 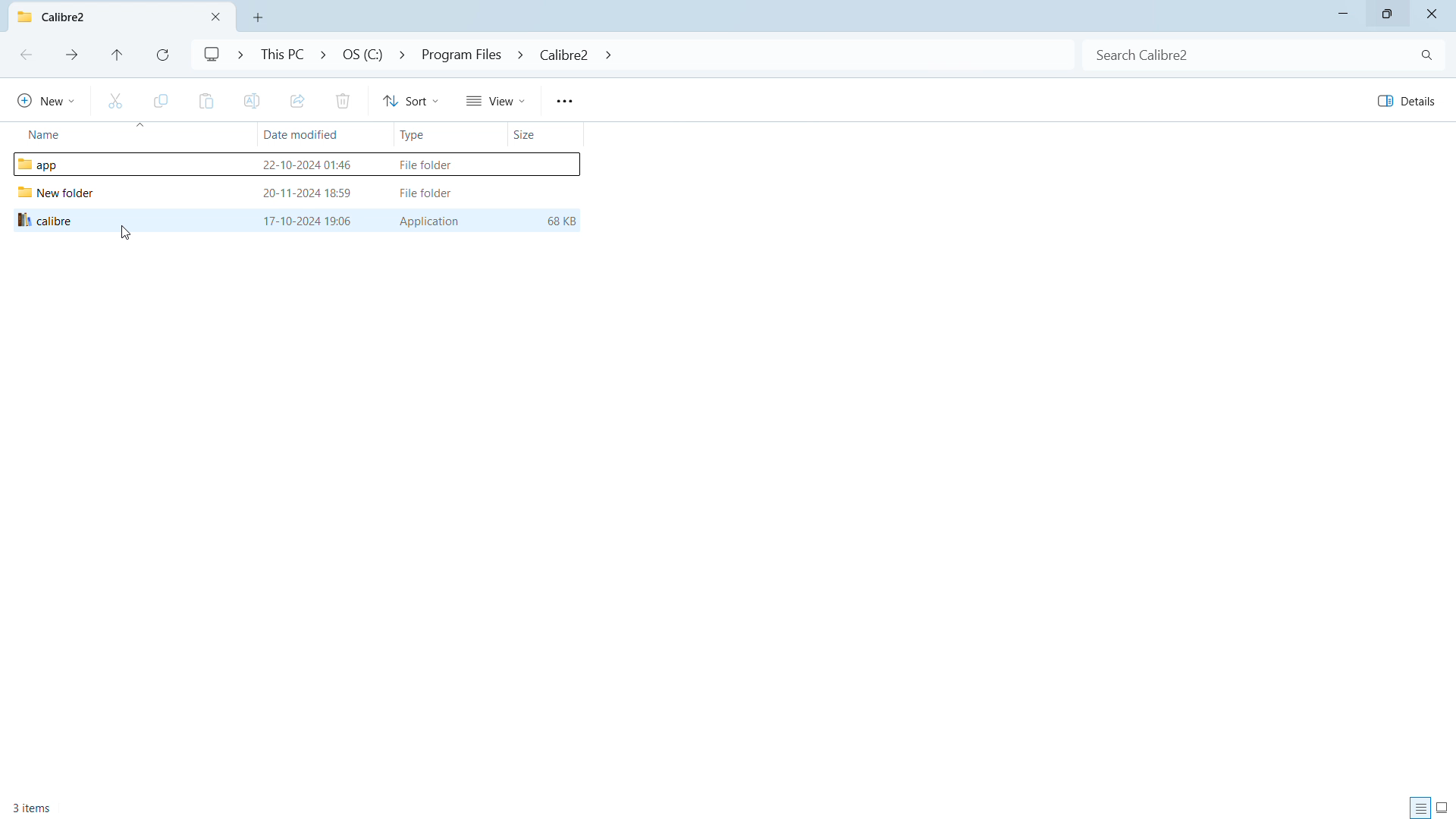 I want to click on File folder, so click(x=425, y=193).